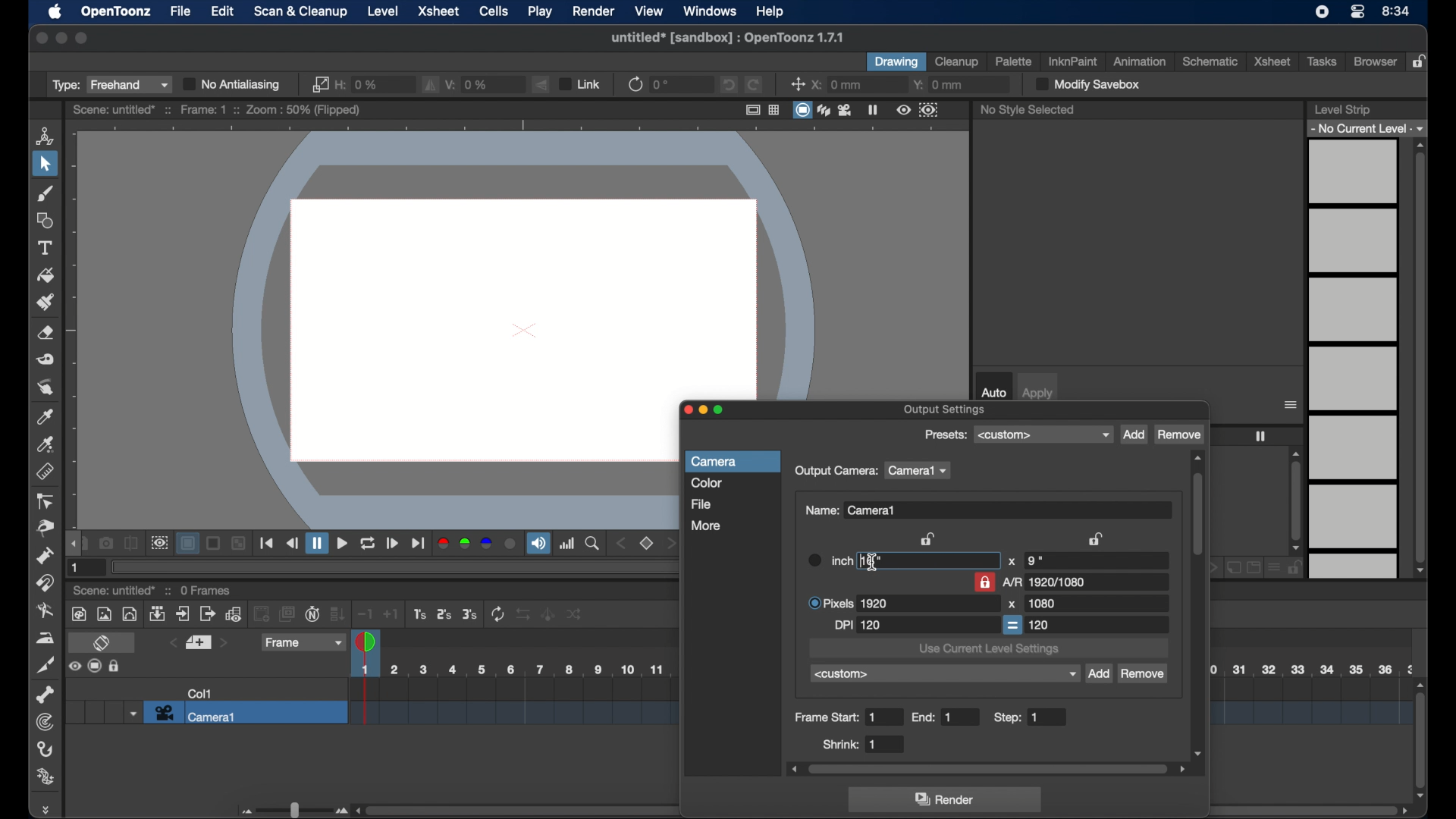  What do you see at coordinates (104, 644) in the screenshot?
I see `toggle xsheet` at bounding box center [104, 644].